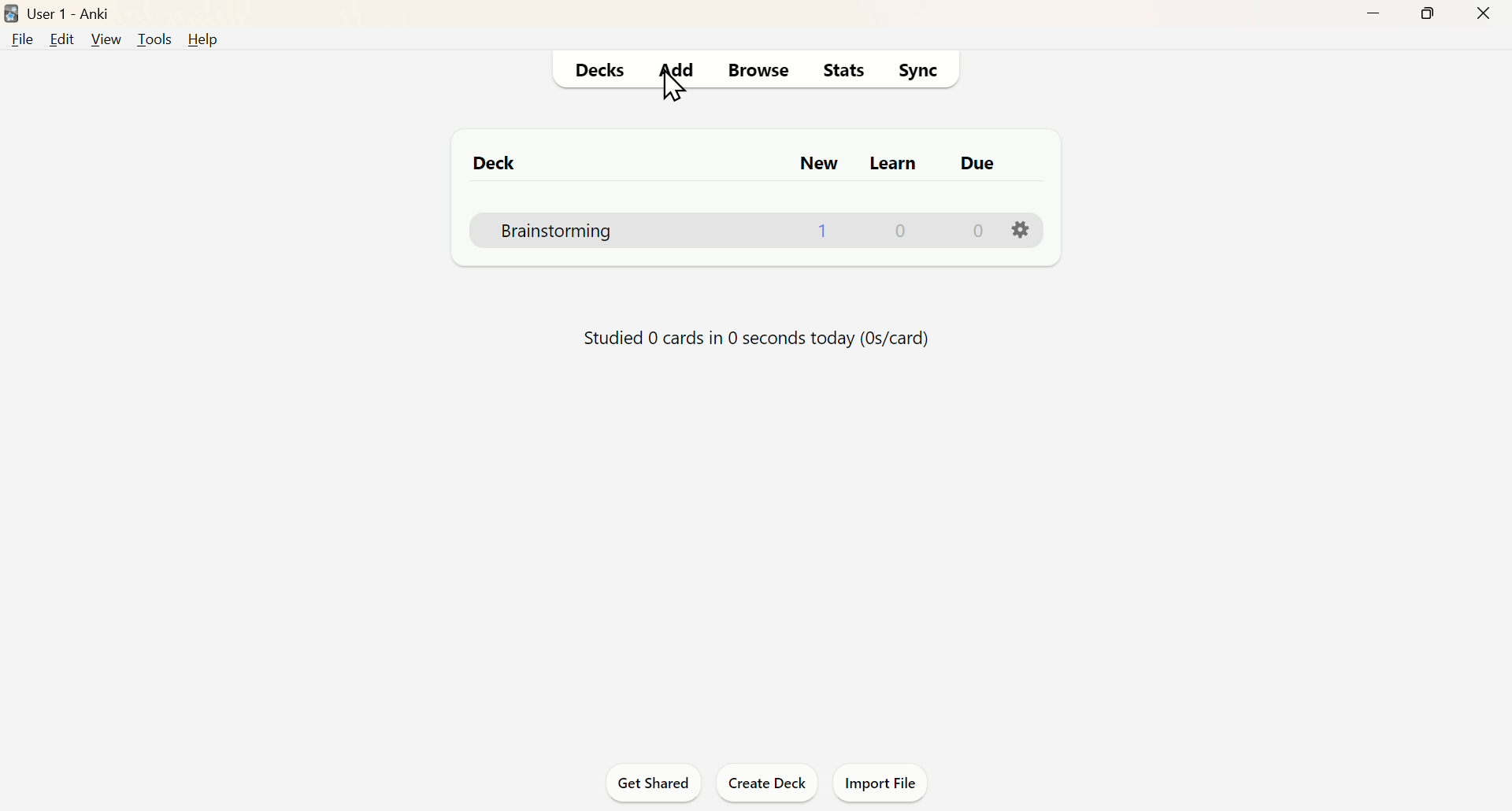 The width and height of the screenshot is (1512, 811). What do you see at coordinates (919, 69) in the screenshot?
I see `Sync` at bounding box center [919, 69].